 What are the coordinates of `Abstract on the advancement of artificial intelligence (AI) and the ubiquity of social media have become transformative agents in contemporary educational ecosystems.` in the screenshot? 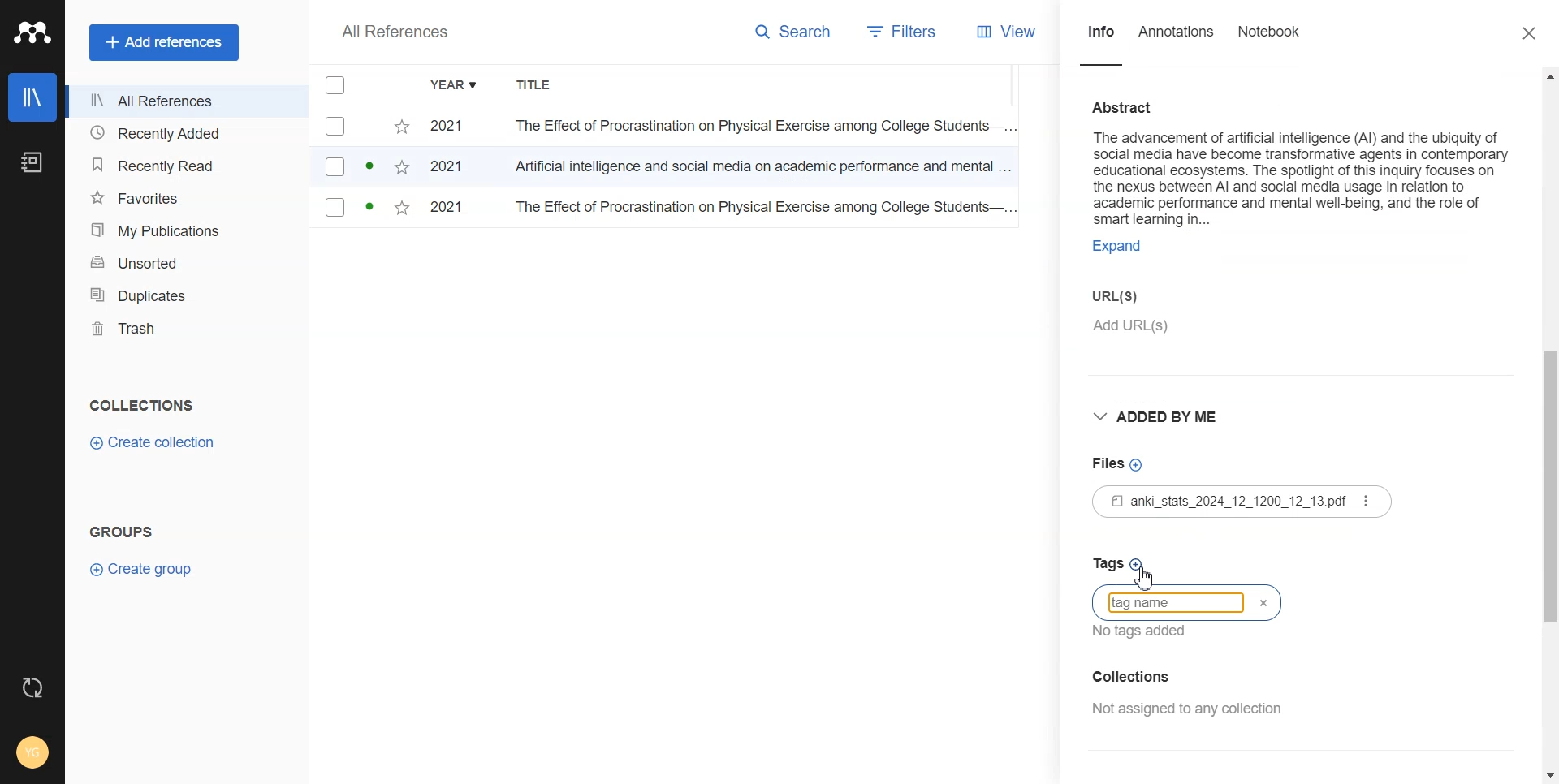 It's located at (1301, 157).